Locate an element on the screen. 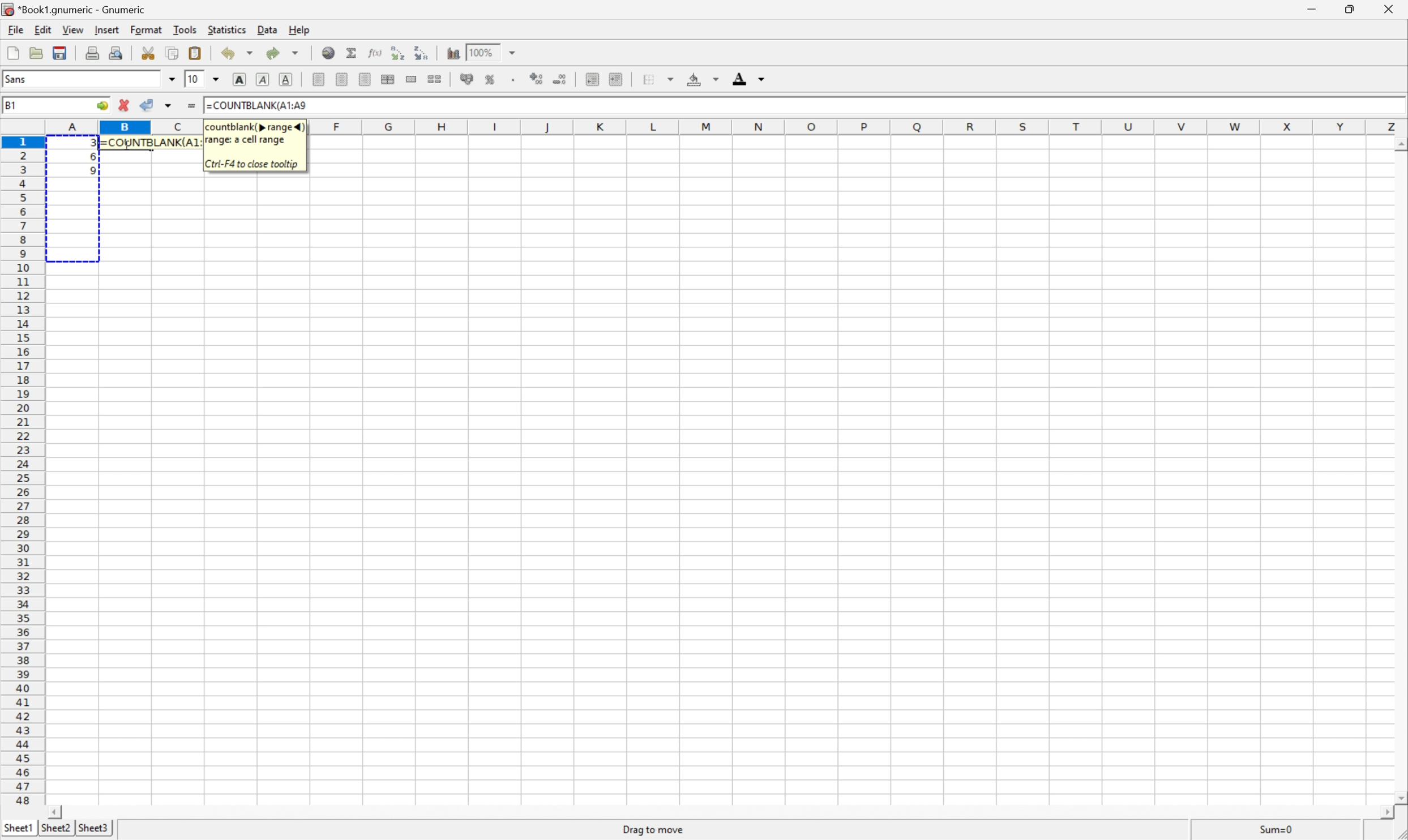  =COUNTBLANK(A1:A9) is located at coordinates (149, 142).